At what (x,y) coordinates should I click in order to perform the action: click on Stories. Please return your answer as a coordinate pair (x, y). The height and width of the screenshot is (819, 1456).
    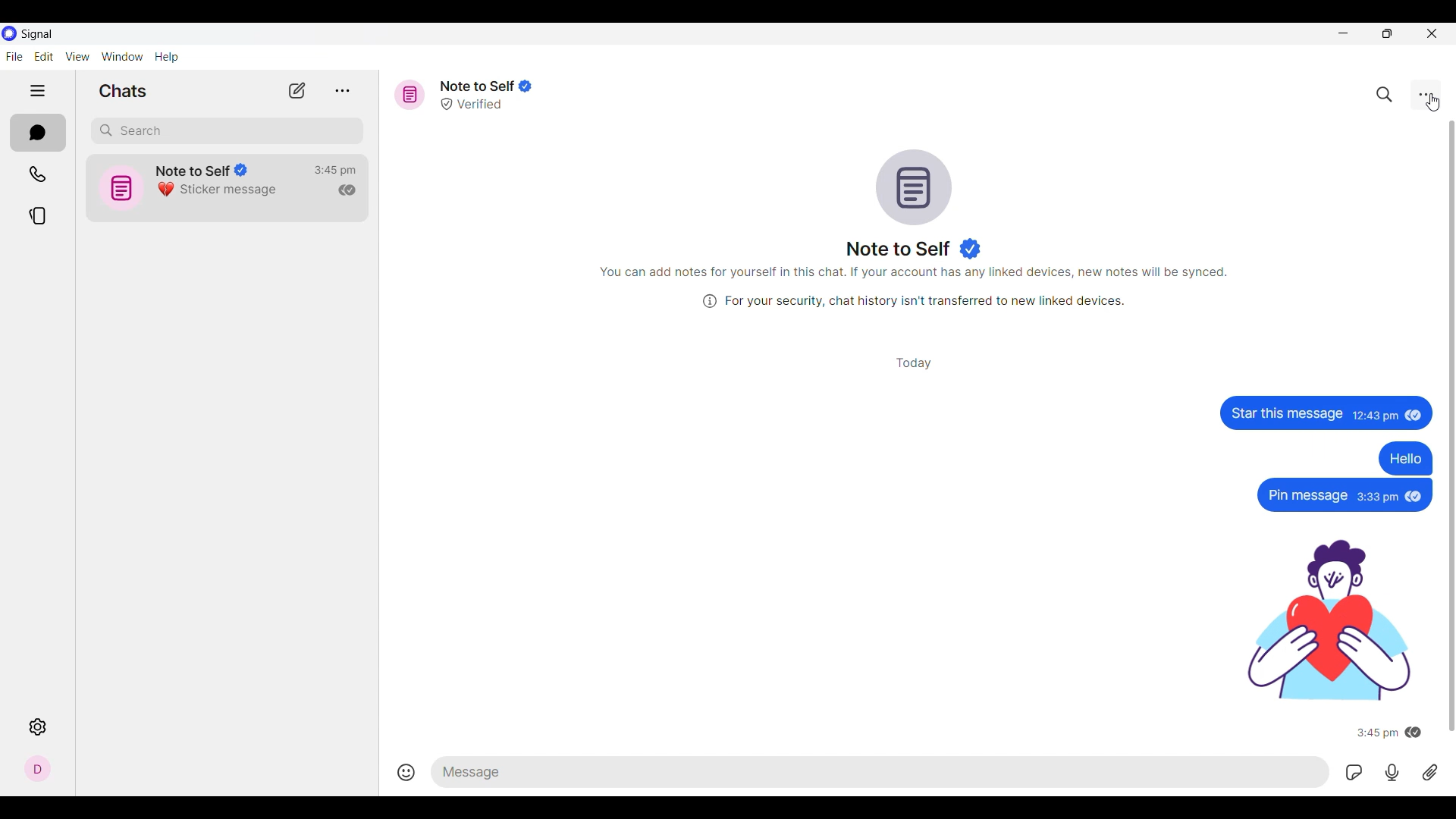
    Looking at the image, I should click on (38, 216).